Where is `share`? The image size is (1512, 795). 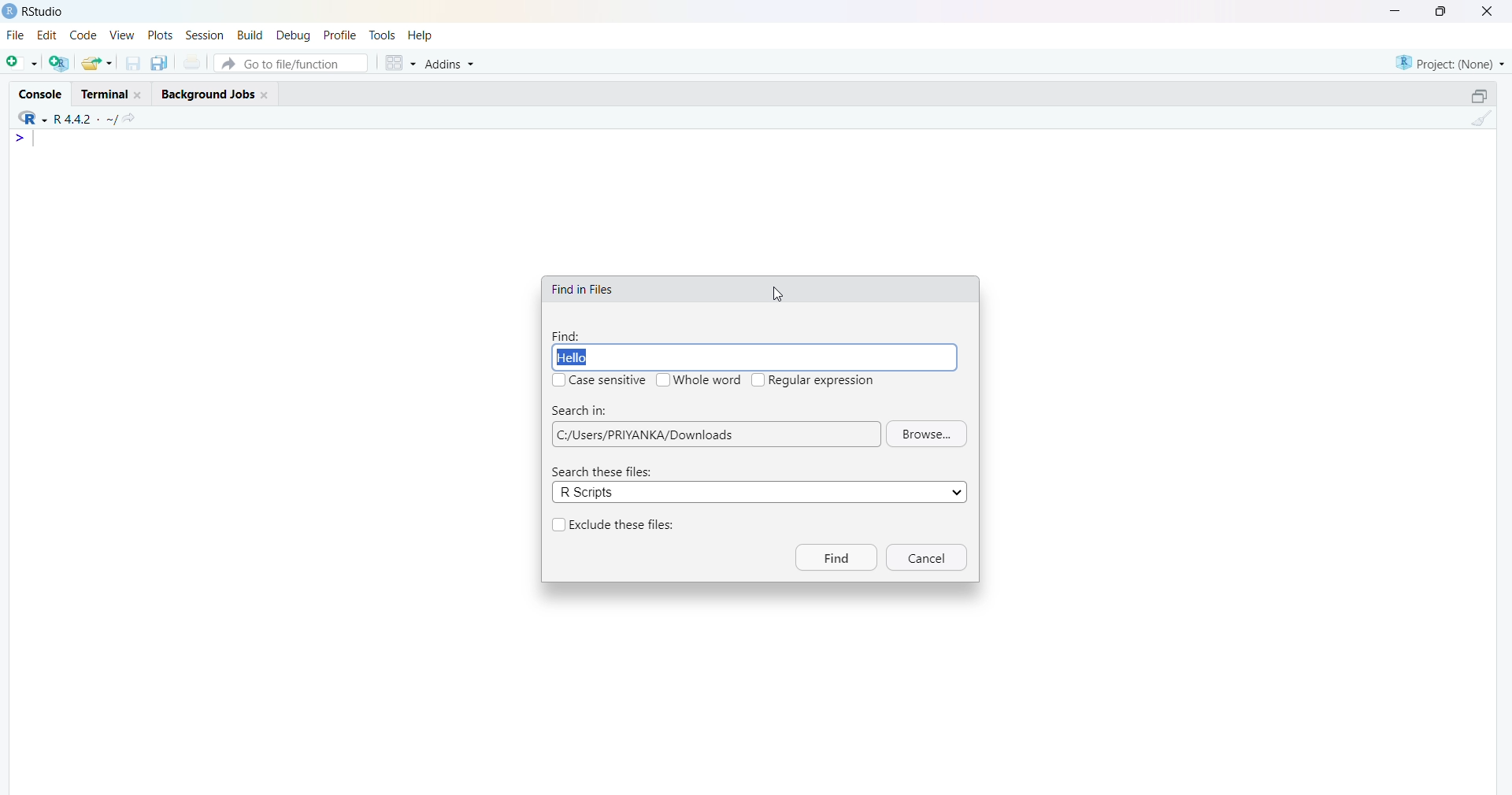
share is located at coordinates (98, 63).